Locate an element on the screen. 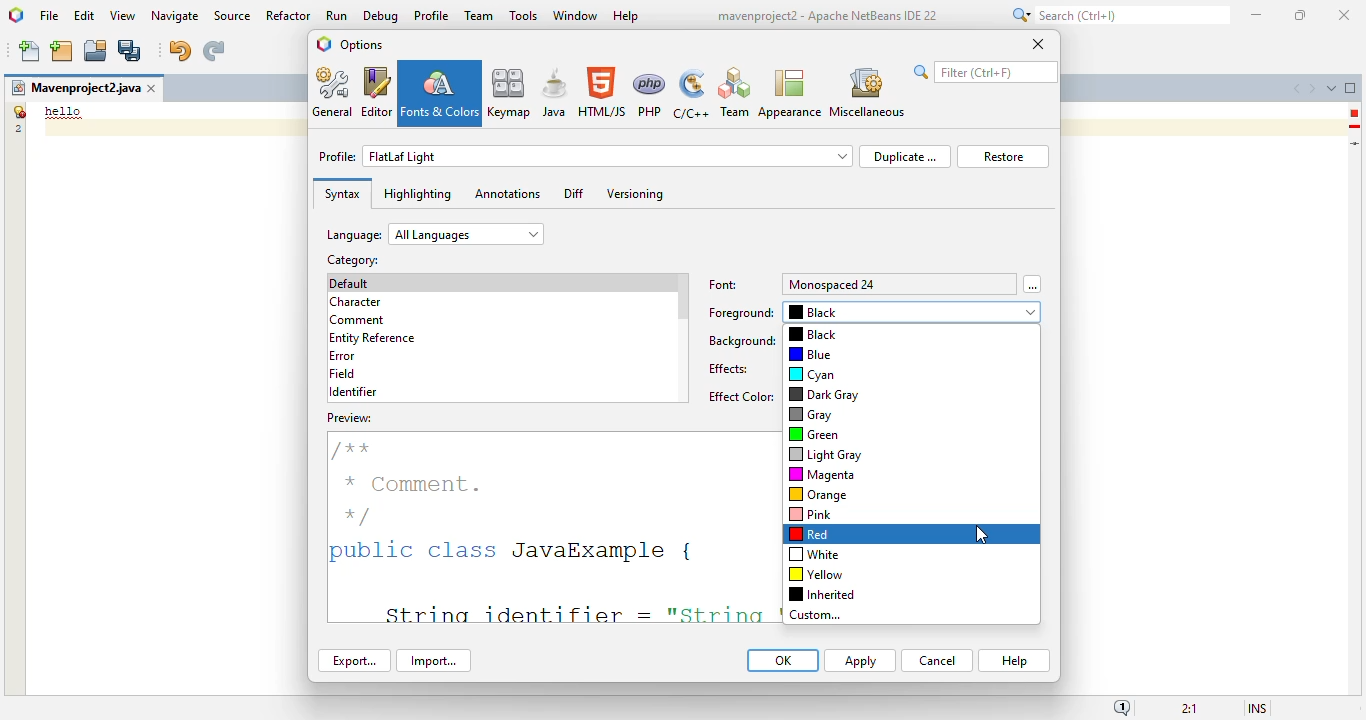 This screenshot has height=720, width=1366. new file is located at coordinates (31, 51).